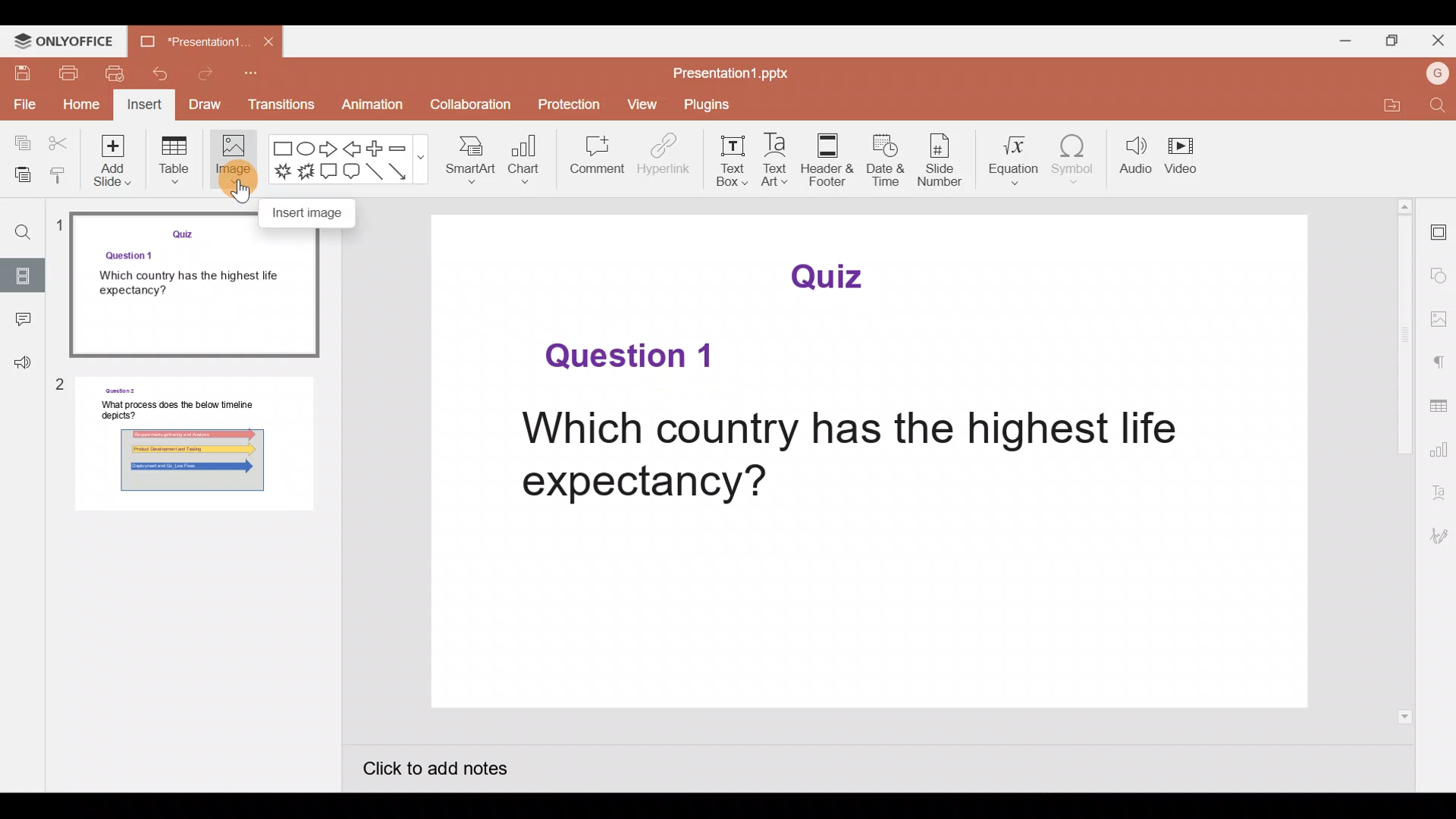 The image size is (1456, 819). Describe the element at coordinates (526, 162) in the screenshot. I see `Chart` at that location.